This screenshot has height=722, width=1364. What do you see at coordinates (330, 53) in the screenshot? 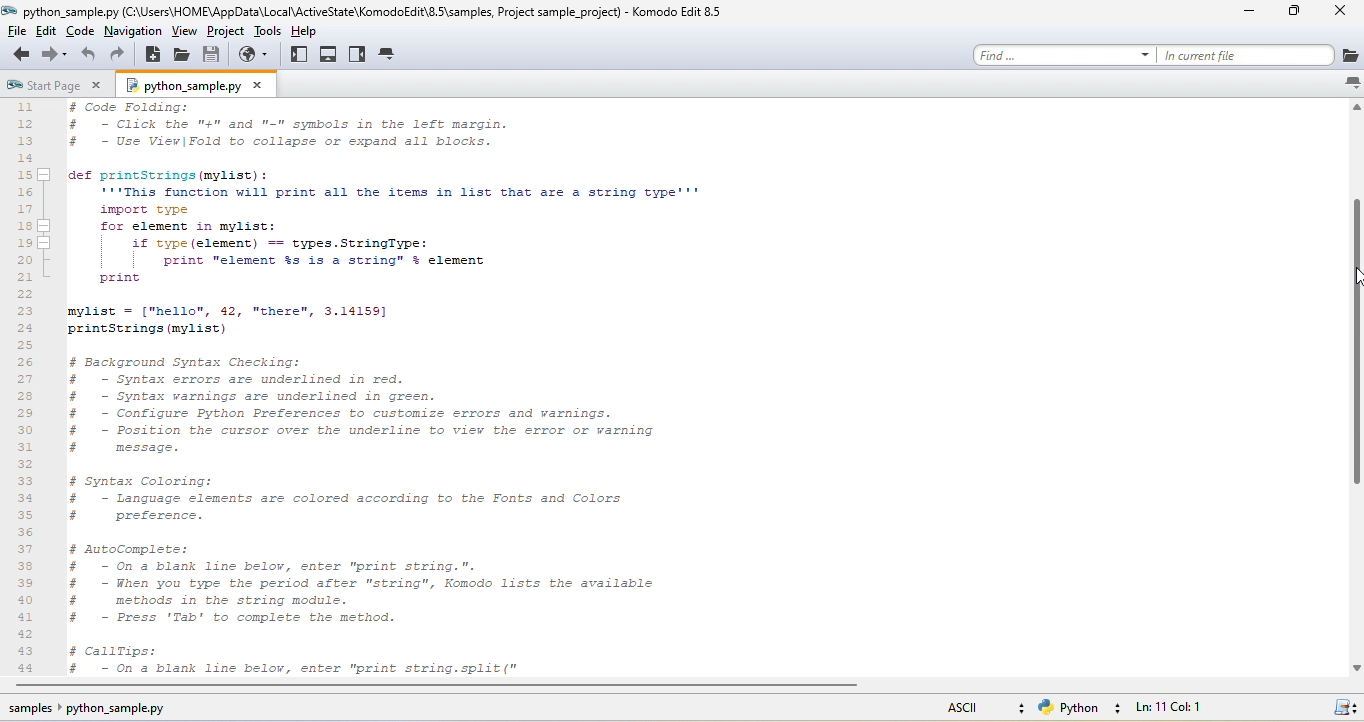
I see `bottom pane` at bounding box center [330, 53].